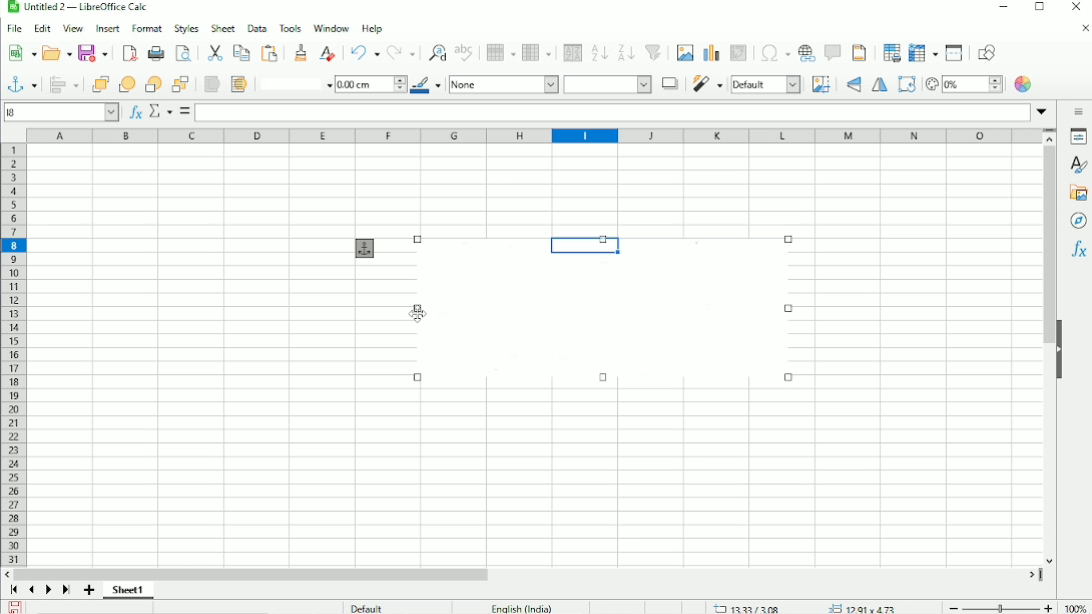  Describe the element at coordinates (148, 29) in the screenshot. I see `Format` at that location.